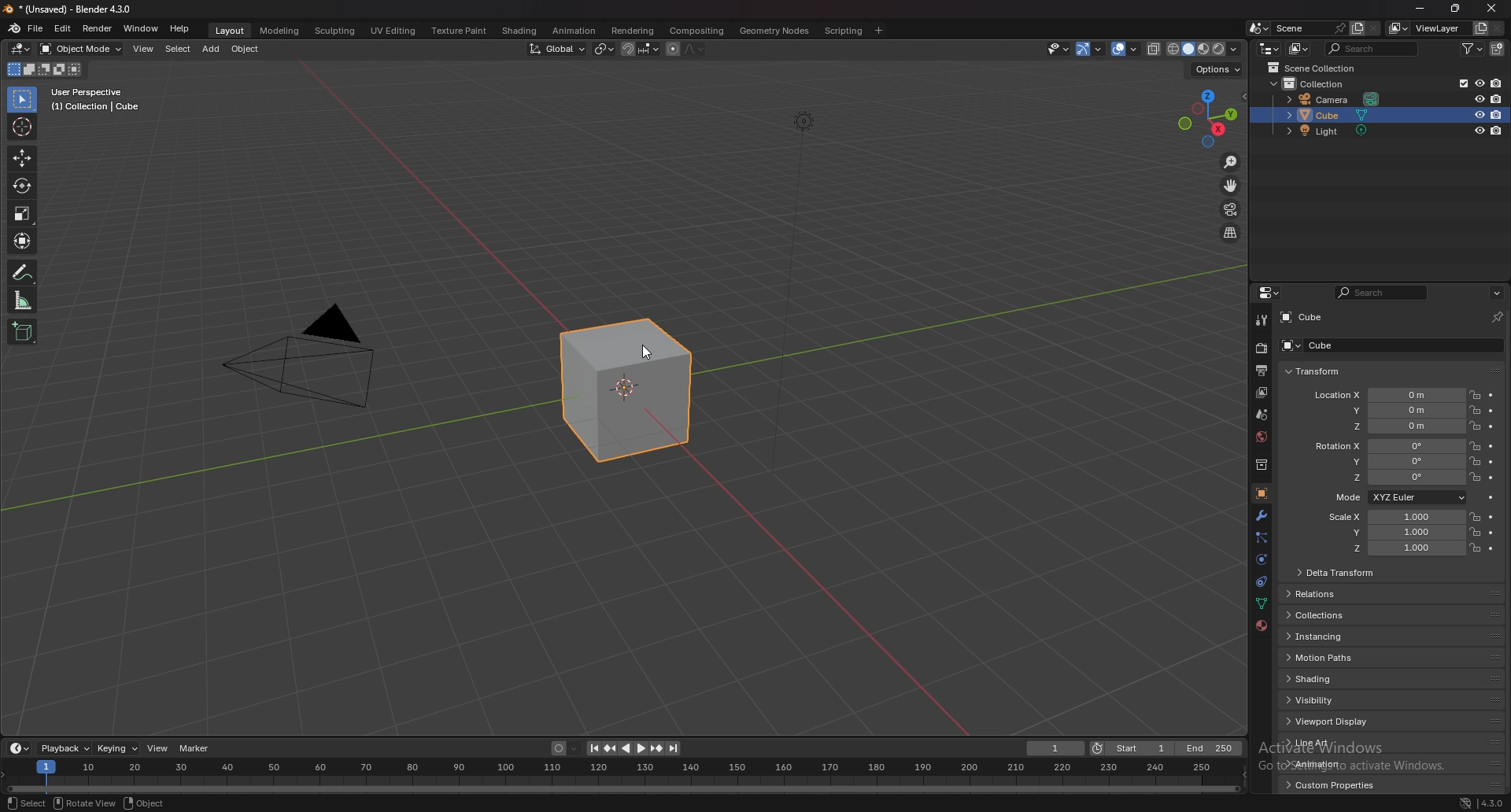 Image resolution: width=1511 pixels, height=812 pixels. I want to click on location y, so click(1388, 411).